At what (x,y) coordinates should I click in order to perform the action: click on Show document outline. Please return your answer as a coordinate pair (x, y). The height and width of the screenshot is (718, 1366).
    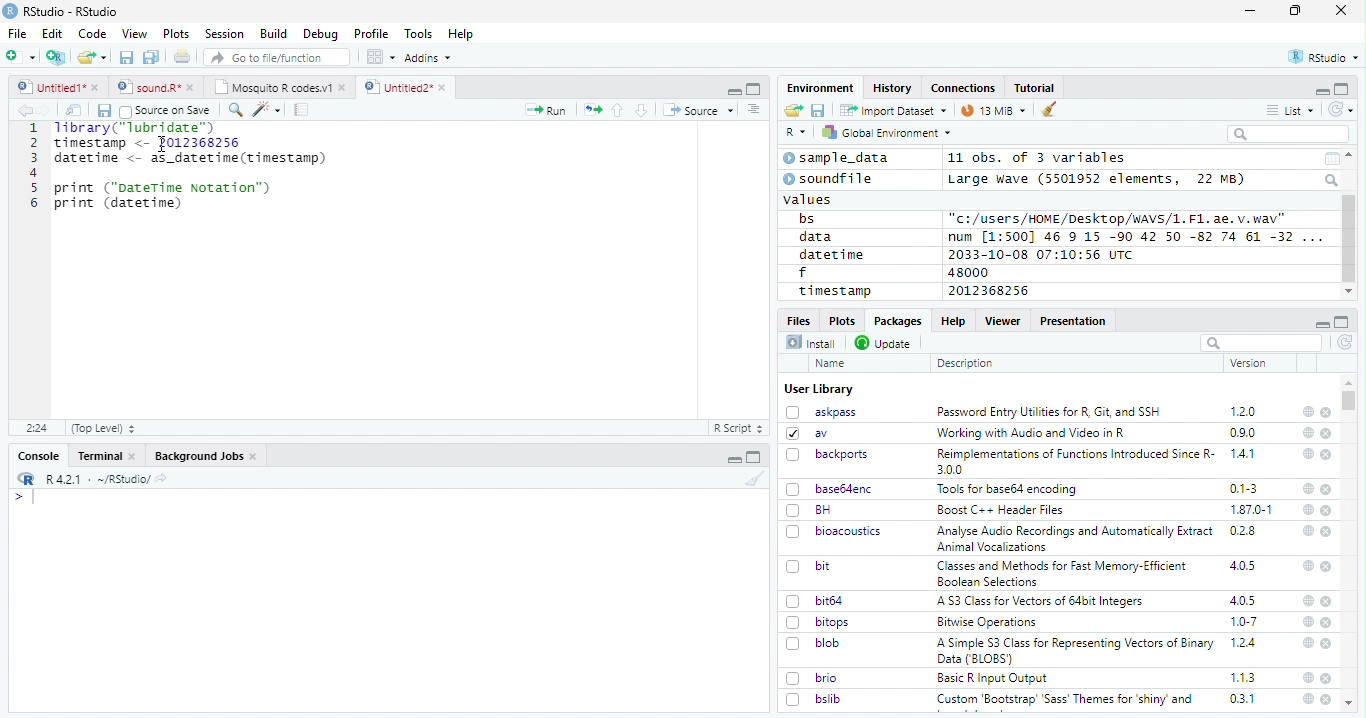
    Looking at the image, I should click on (752, 109).